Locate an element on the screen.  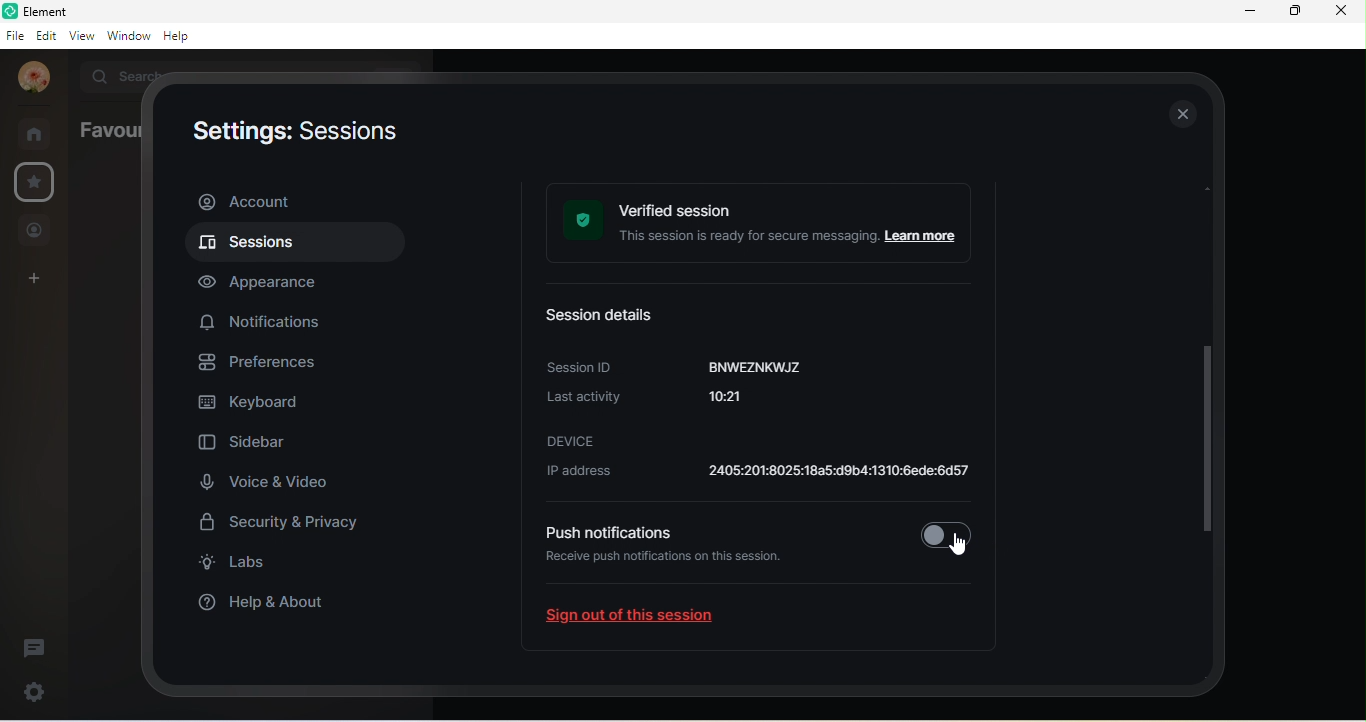
sign out of this session is located at coordinates (646, 620).